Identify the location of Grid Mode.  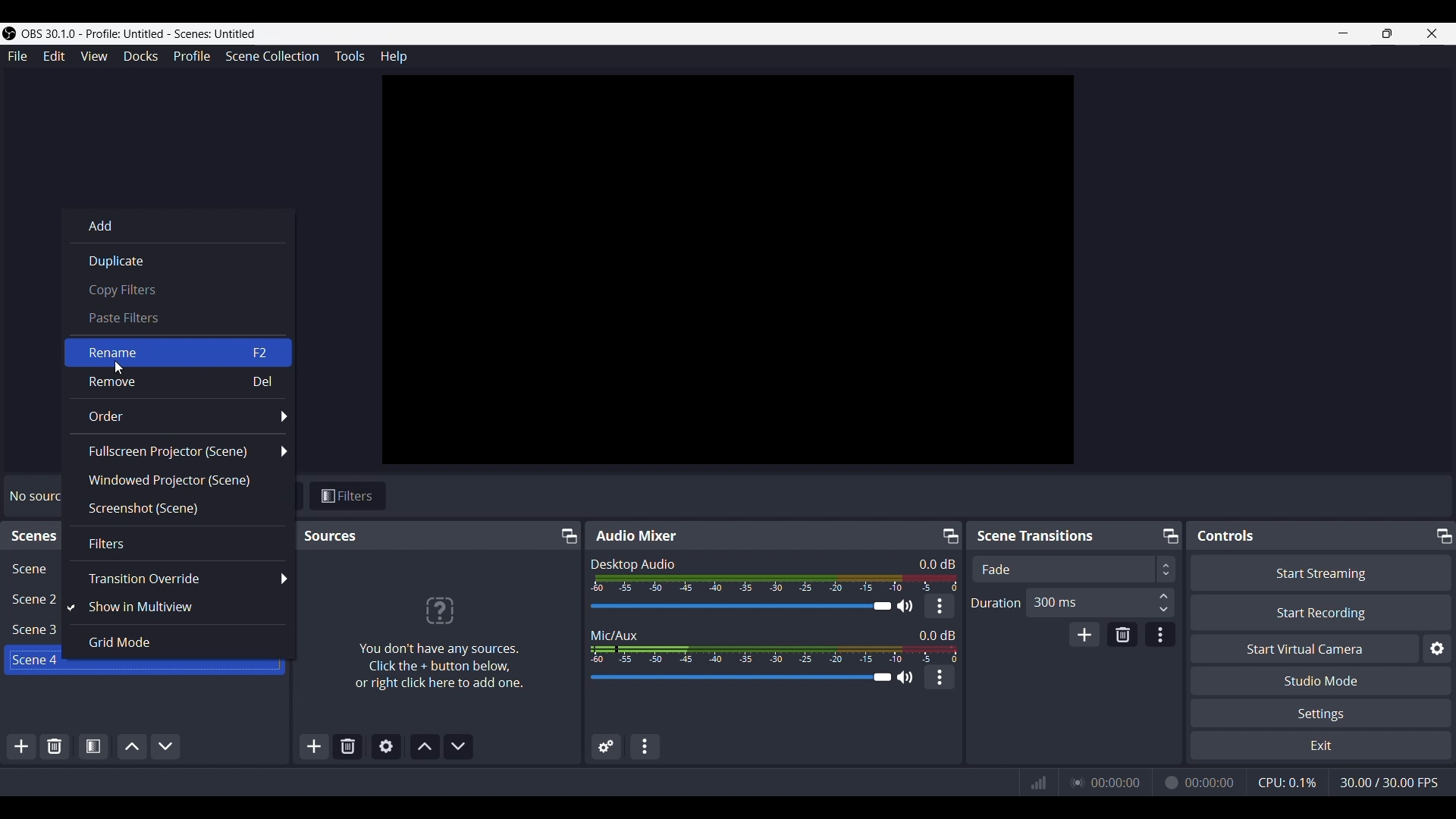
(127, 642).